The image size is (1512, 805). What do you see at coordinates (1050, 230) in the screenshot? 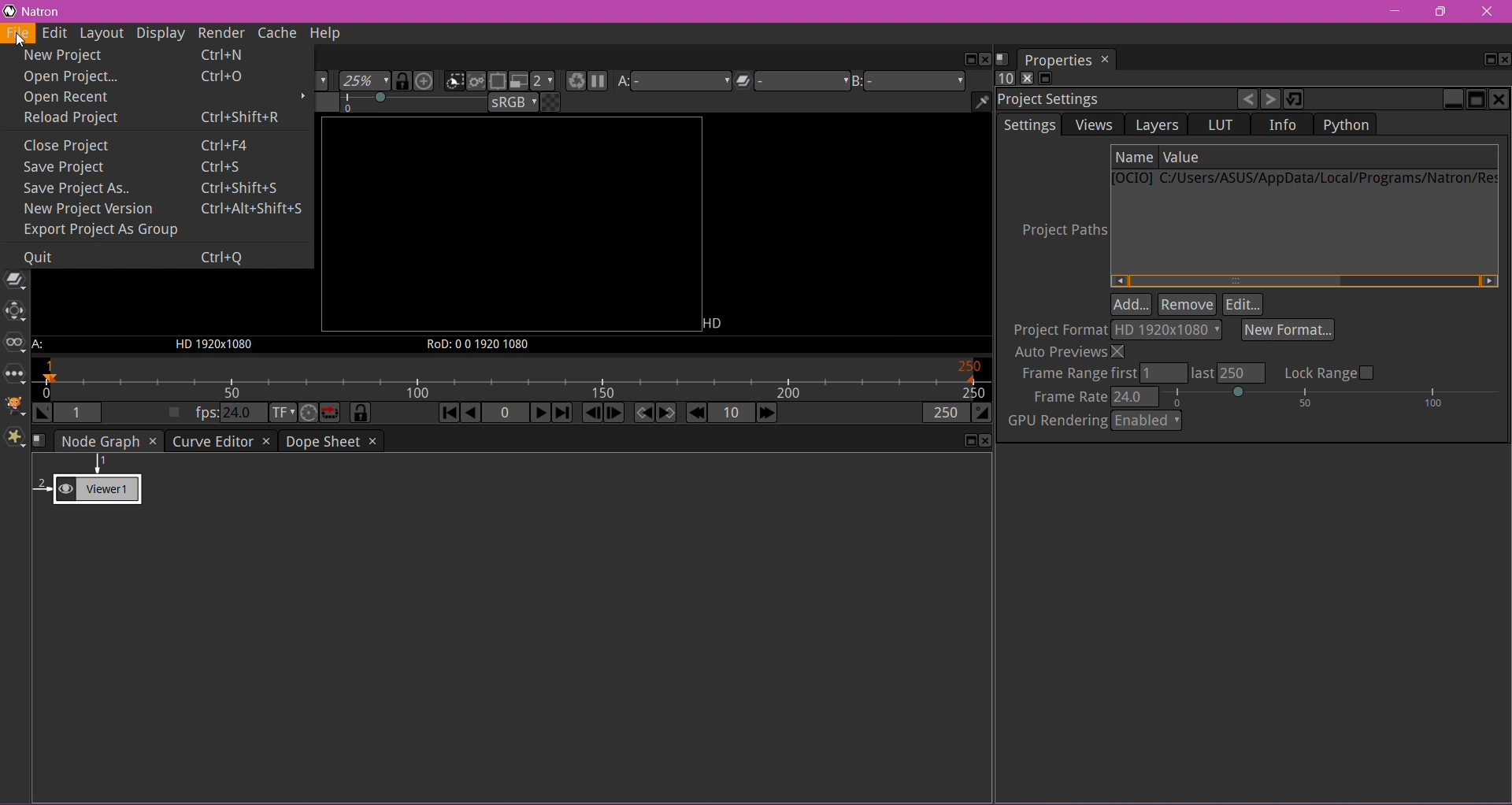
I see `Project Paths` at bounding box center [1050, 230].